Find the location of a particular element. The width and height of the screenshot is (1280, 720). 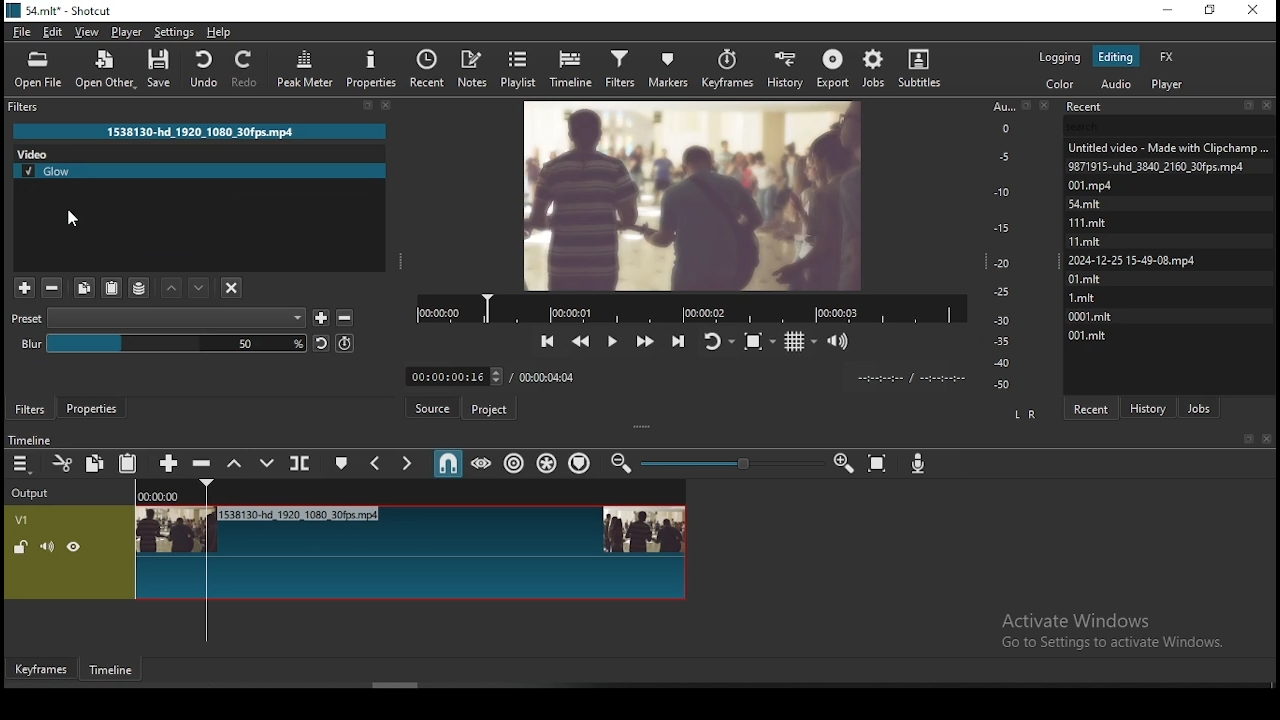

overwrite is located at coordinates (261, 463).